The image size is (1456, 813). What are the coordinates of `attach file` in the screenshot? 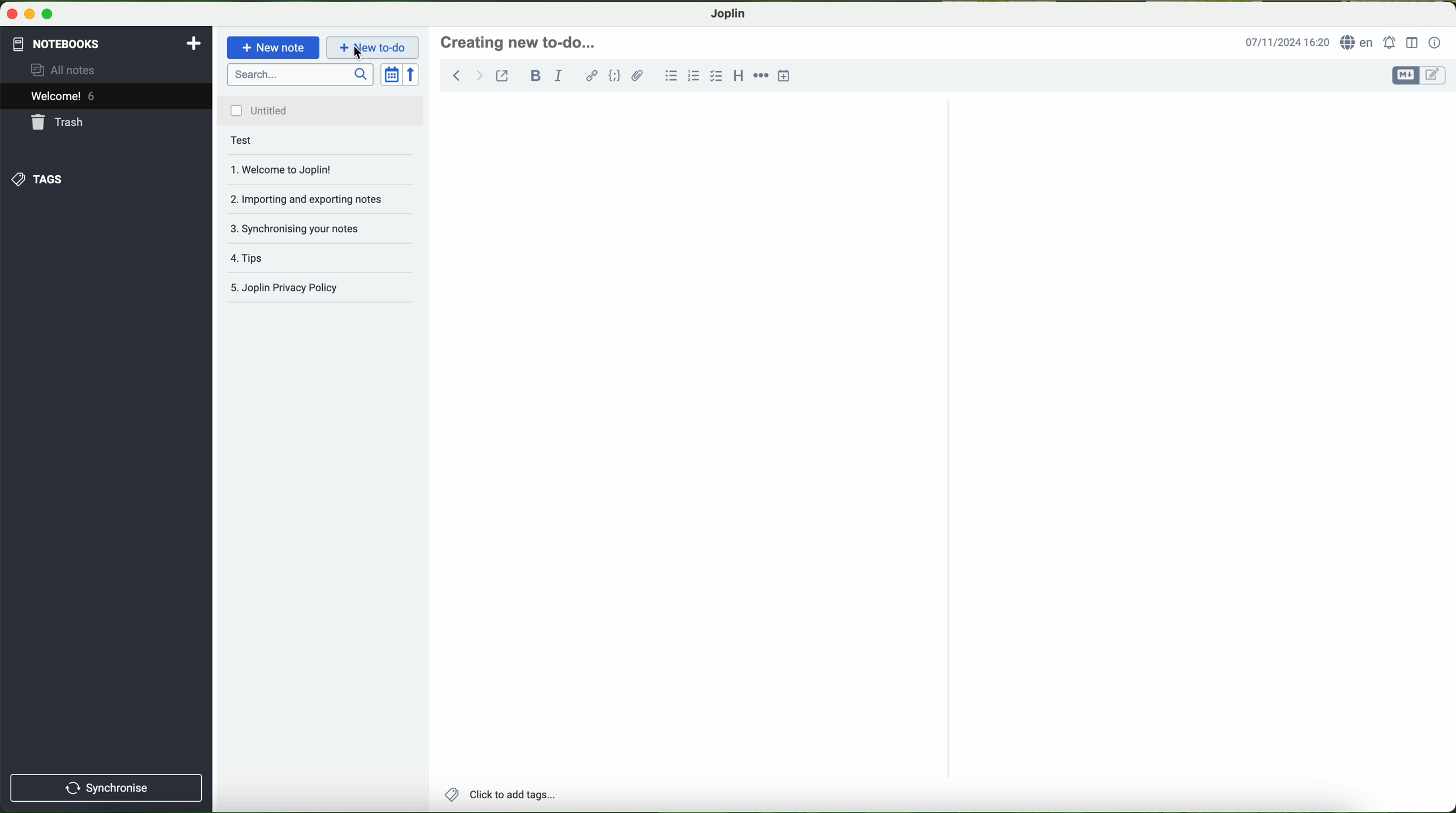 It's located at (637, 76).